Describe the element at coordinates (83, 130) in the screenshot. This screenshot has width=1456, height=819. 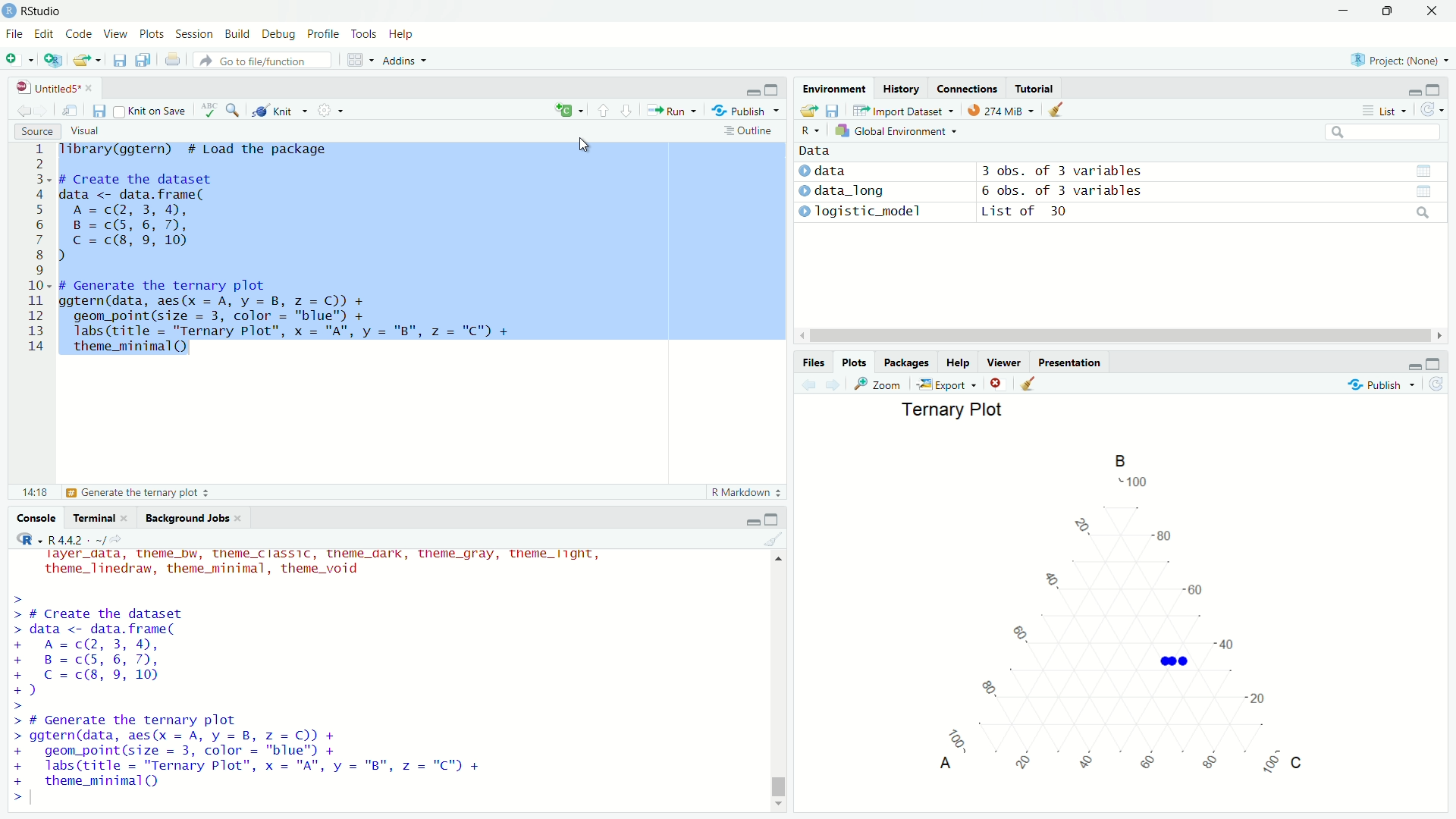
I see `Visual` at that location.